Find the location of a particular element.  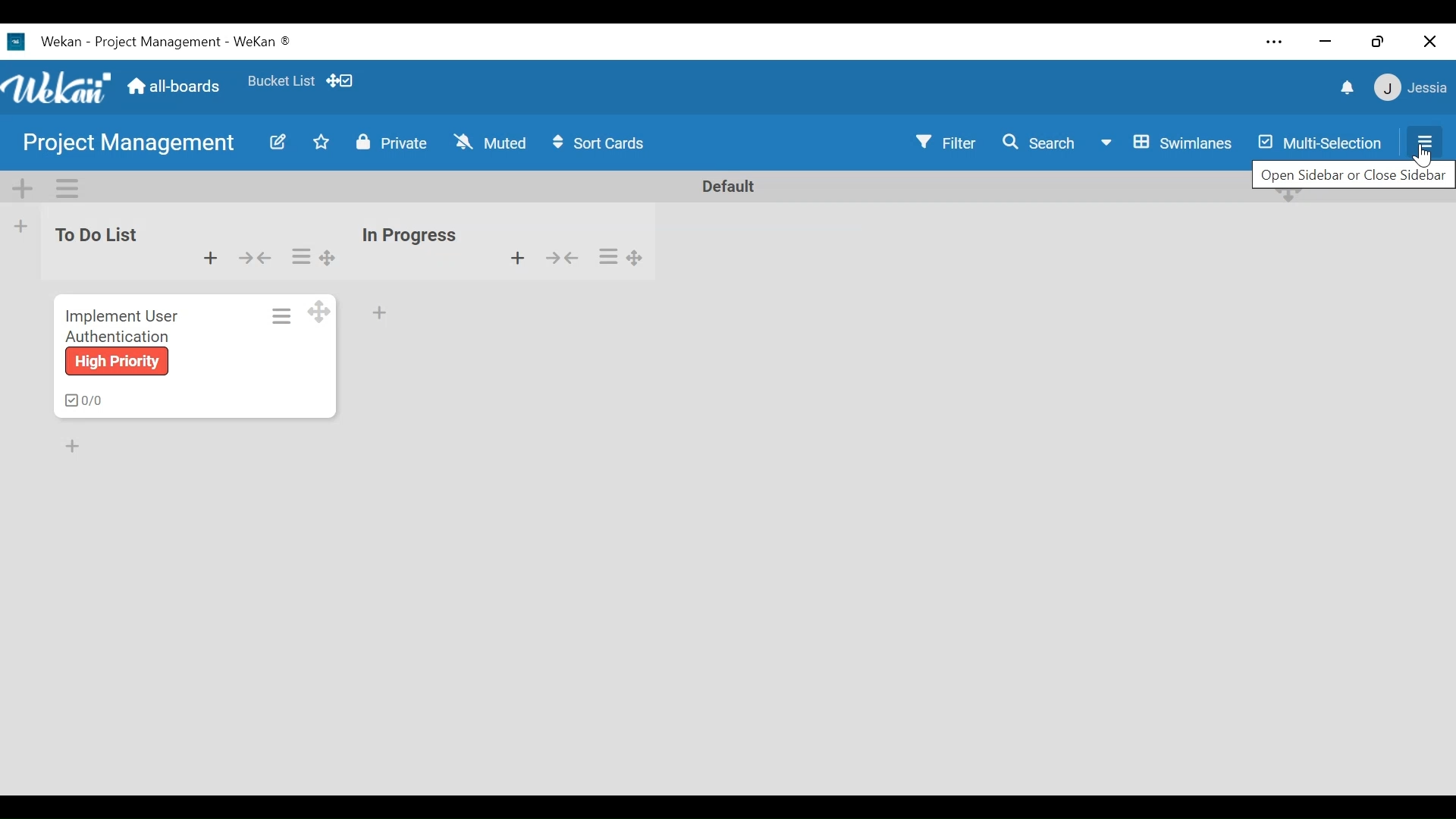

minimize is located at coordinates (1325, 41).